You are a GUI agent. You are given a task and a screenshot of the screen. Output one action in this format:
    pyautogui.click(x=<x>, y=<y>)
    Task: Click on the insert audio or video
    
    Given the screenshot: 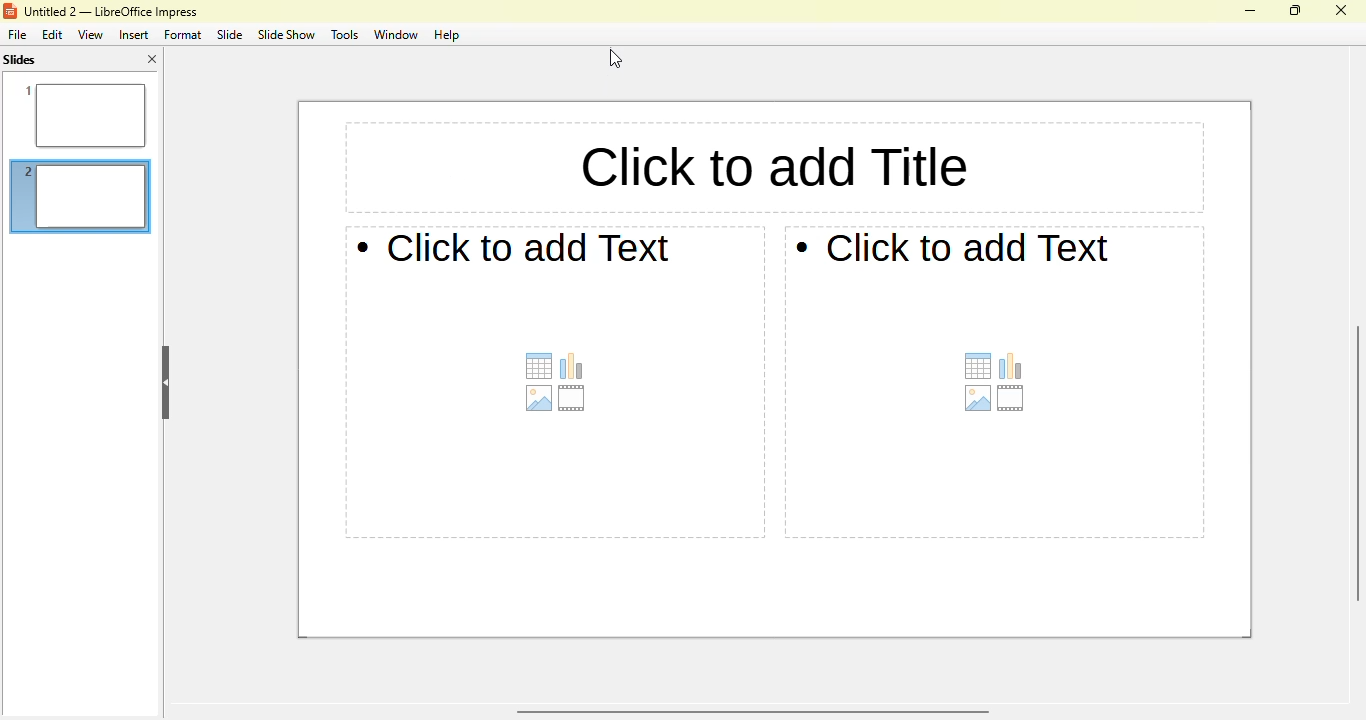 What is the action you would take?
    pyautogui.click(x=1012, y=400)
    